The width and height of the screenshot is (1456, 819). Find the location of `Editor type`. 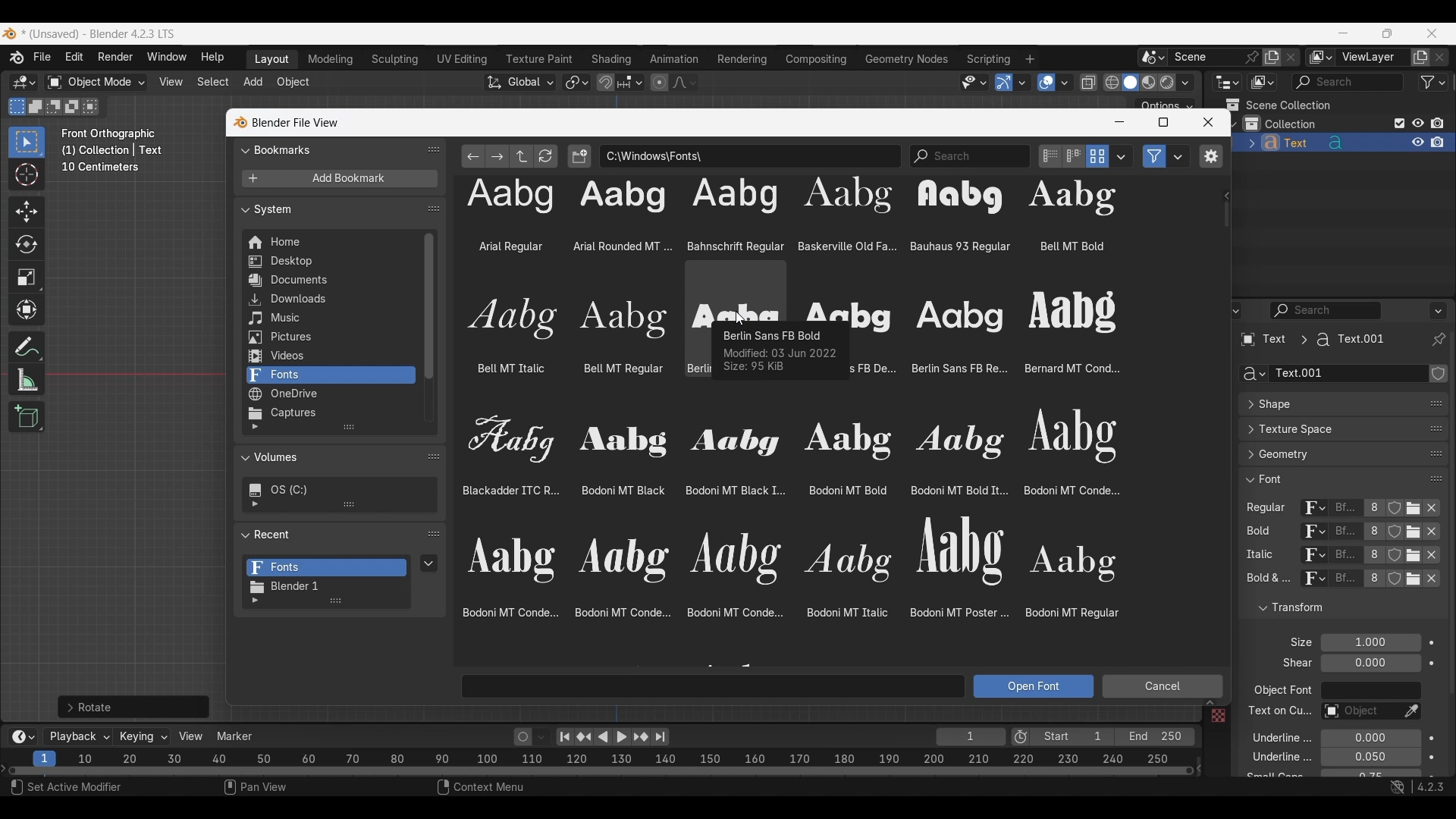

Editor type is located at coordinates (1227, 310).